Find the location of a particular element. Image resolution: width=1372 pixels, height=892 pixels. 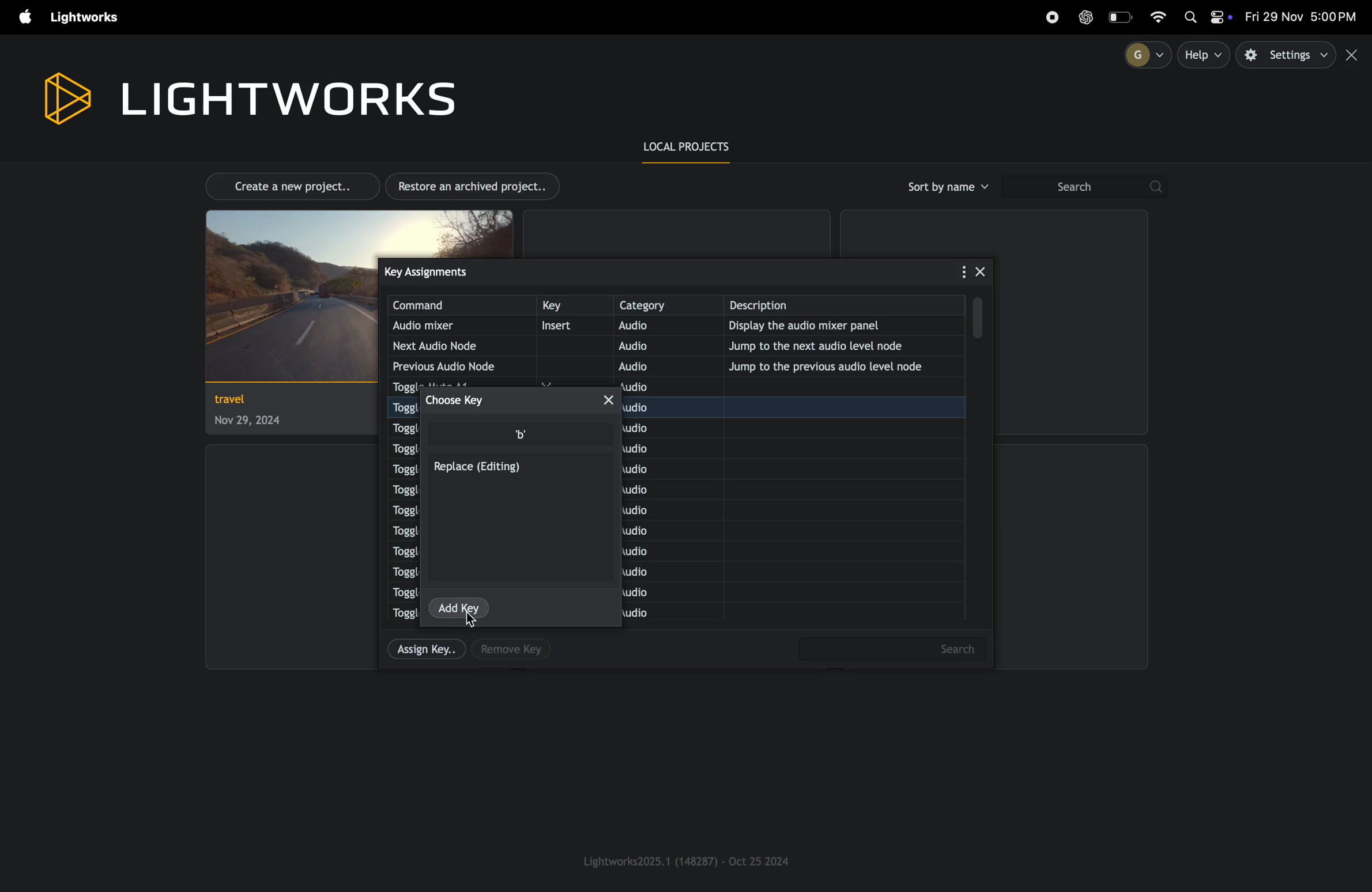

audio is located at coordinates (652, 346).